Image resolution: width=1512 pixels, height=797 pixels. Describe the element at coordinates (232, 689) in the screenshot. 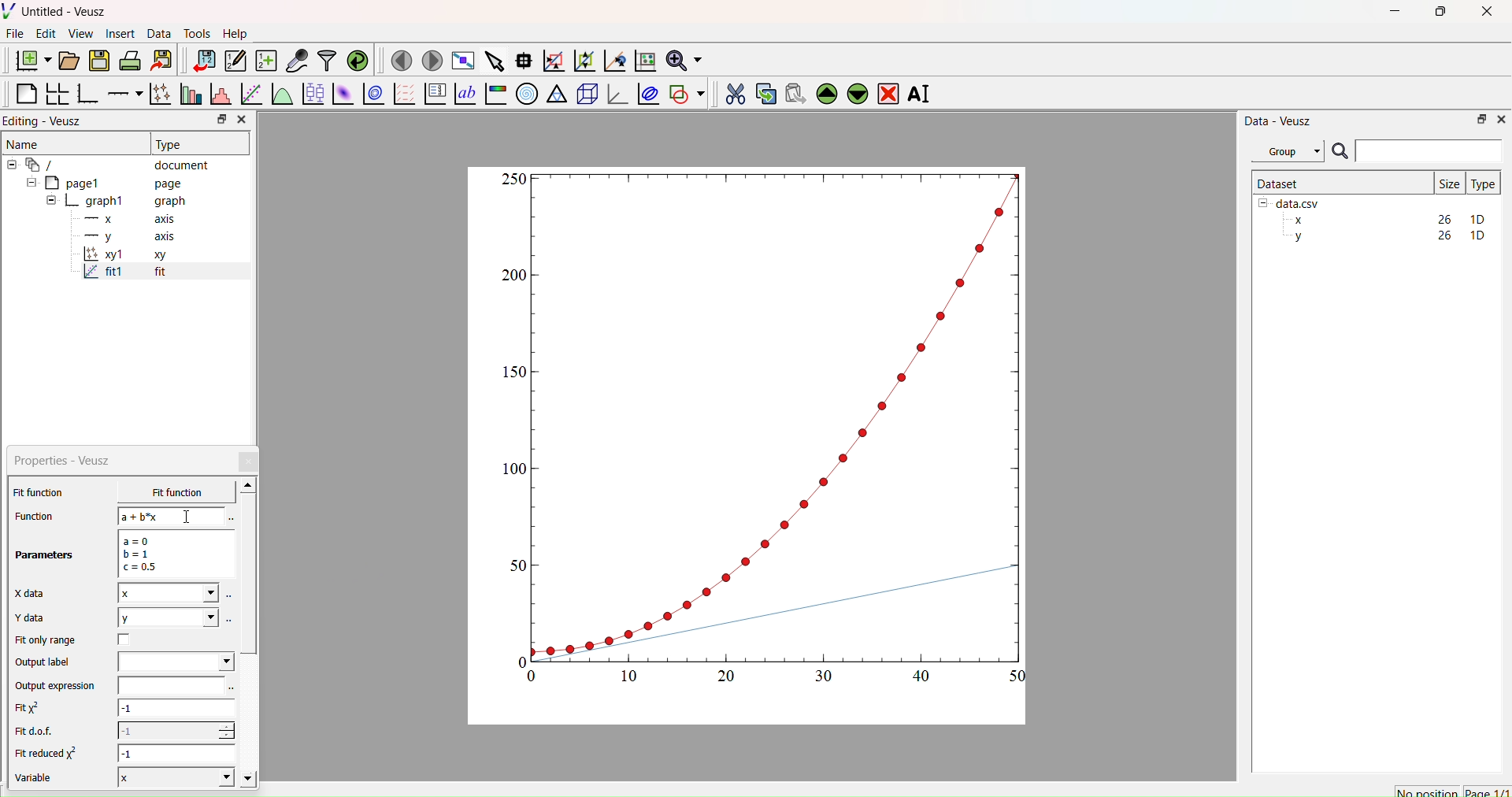

I see `Select using dataset browser` at that location.